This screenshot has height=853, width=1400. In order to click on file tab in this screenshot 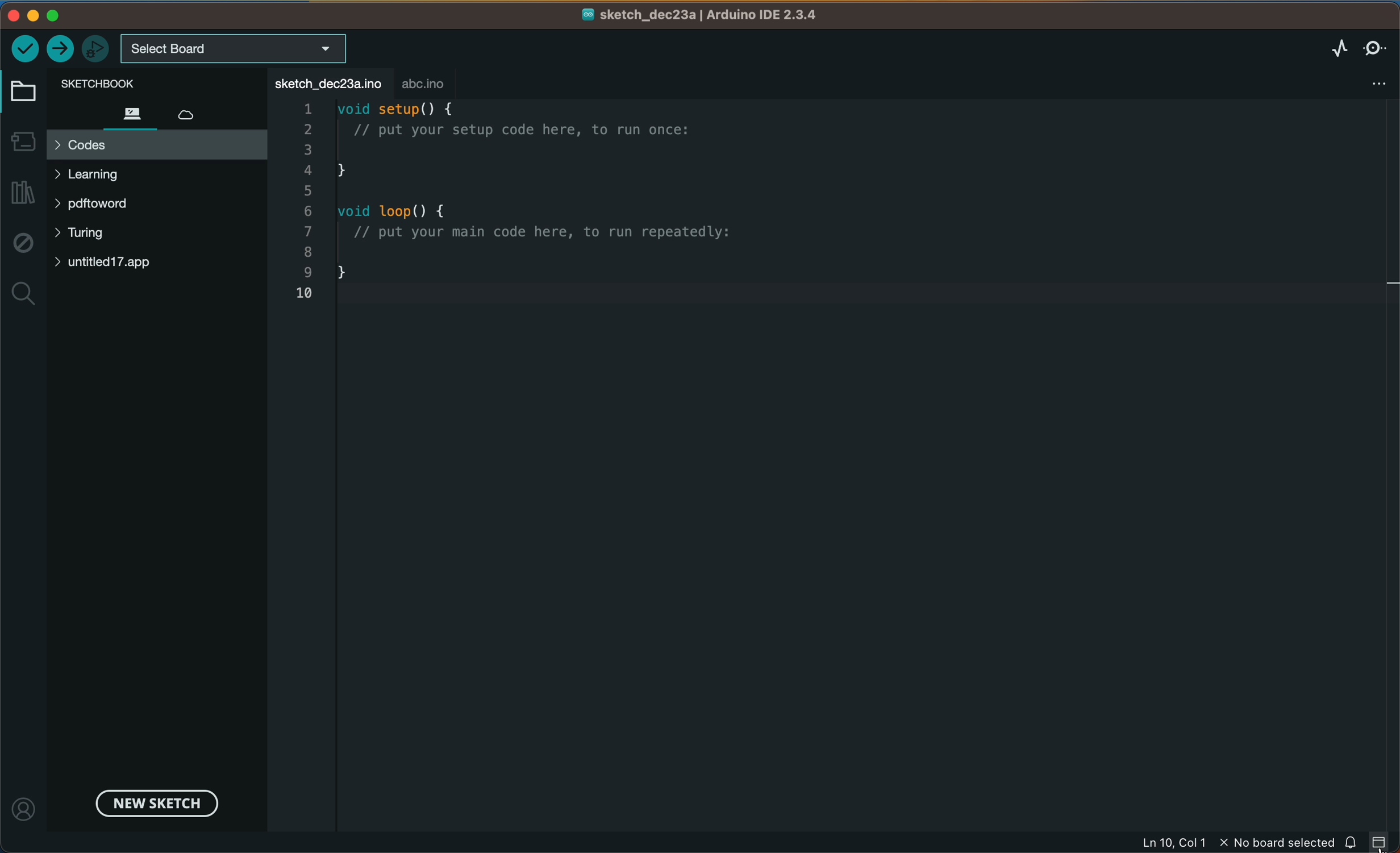, I will do `click(326, 83)`.